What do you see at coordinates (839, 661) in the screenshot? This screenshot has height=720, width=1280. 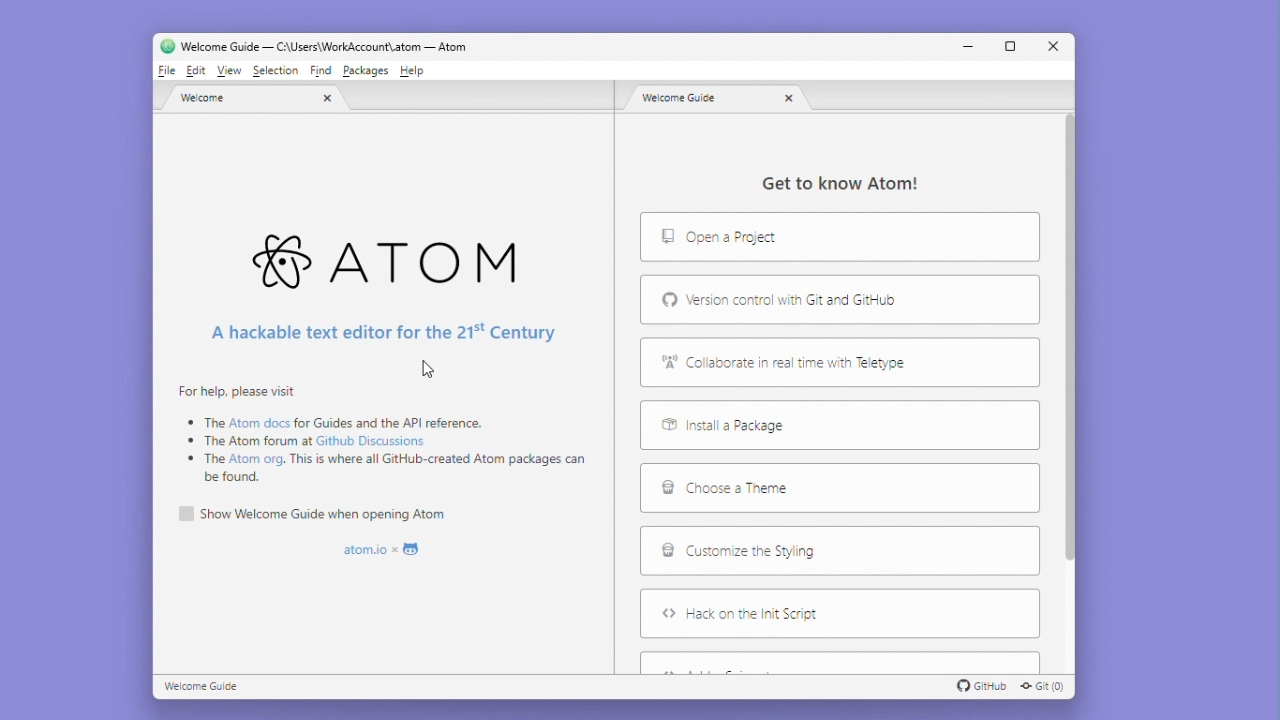 I see `Add a snippet` at bounding box center [839, 661].